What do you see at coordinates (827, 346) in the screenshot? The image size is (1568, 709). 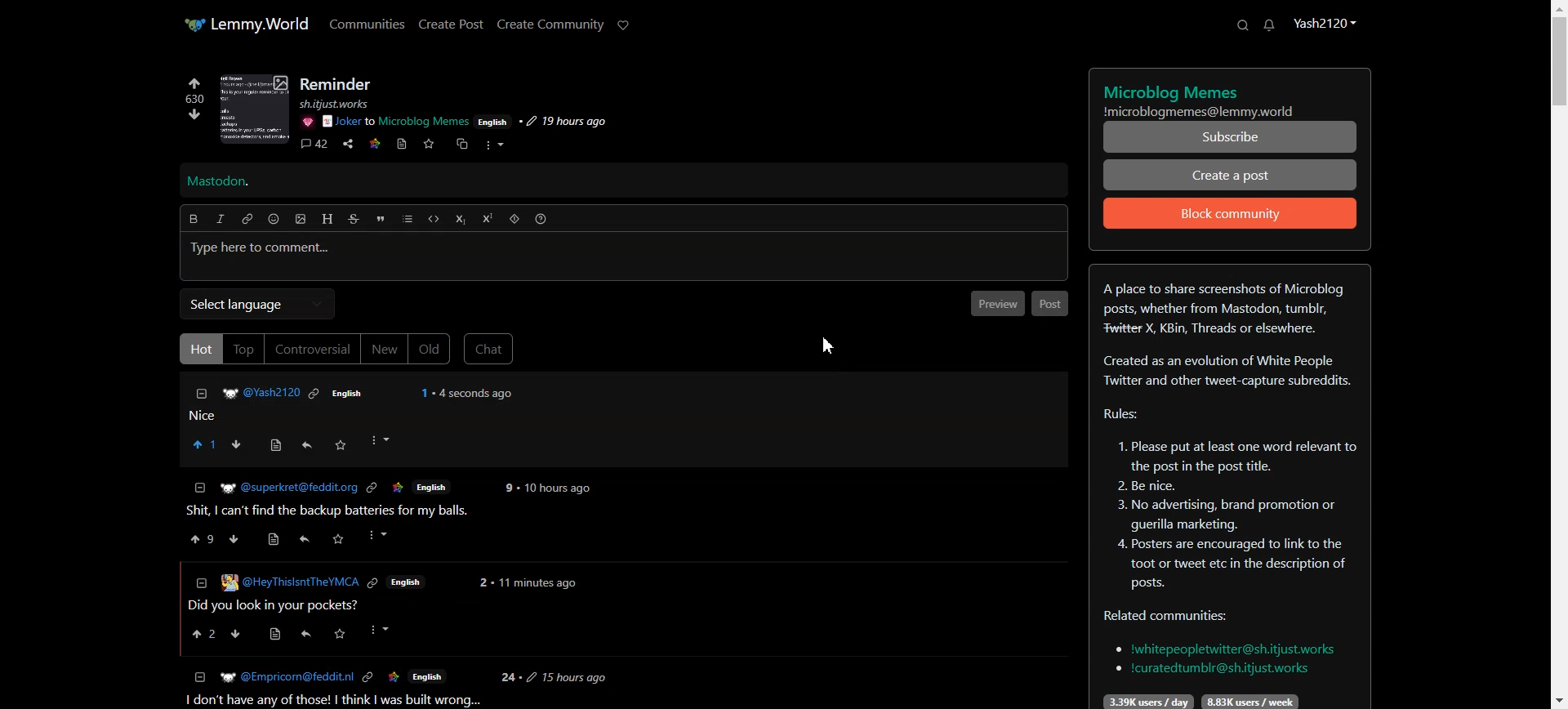 I see `Cursor` at bounding box center [827, 346].